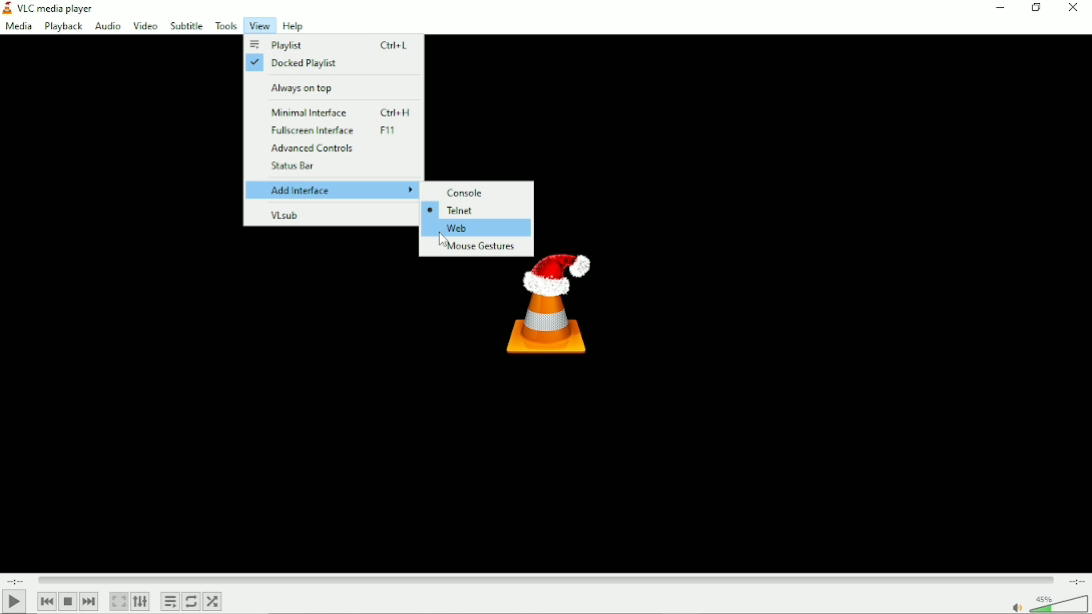 The height and width of the screenshot is (614, 1092). Describe the element at coordinates (478, 248) in the screenshot. I see `Mouse gestures` at that location.